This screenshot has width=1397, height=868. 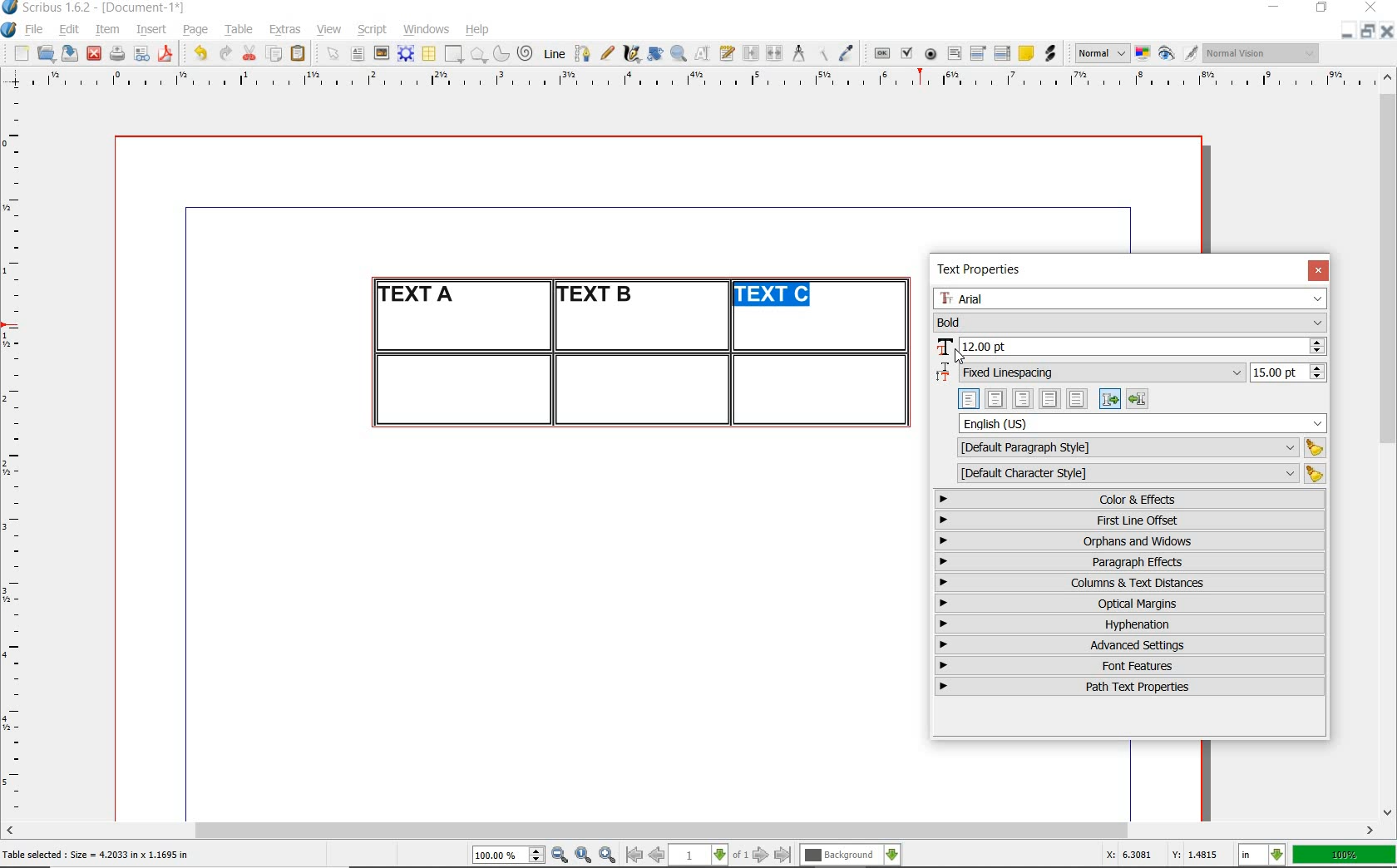 What do you see at coordinates (1128, 644) in the screenshot?
I see `advanced settings` at bounding box center [1128, 644].